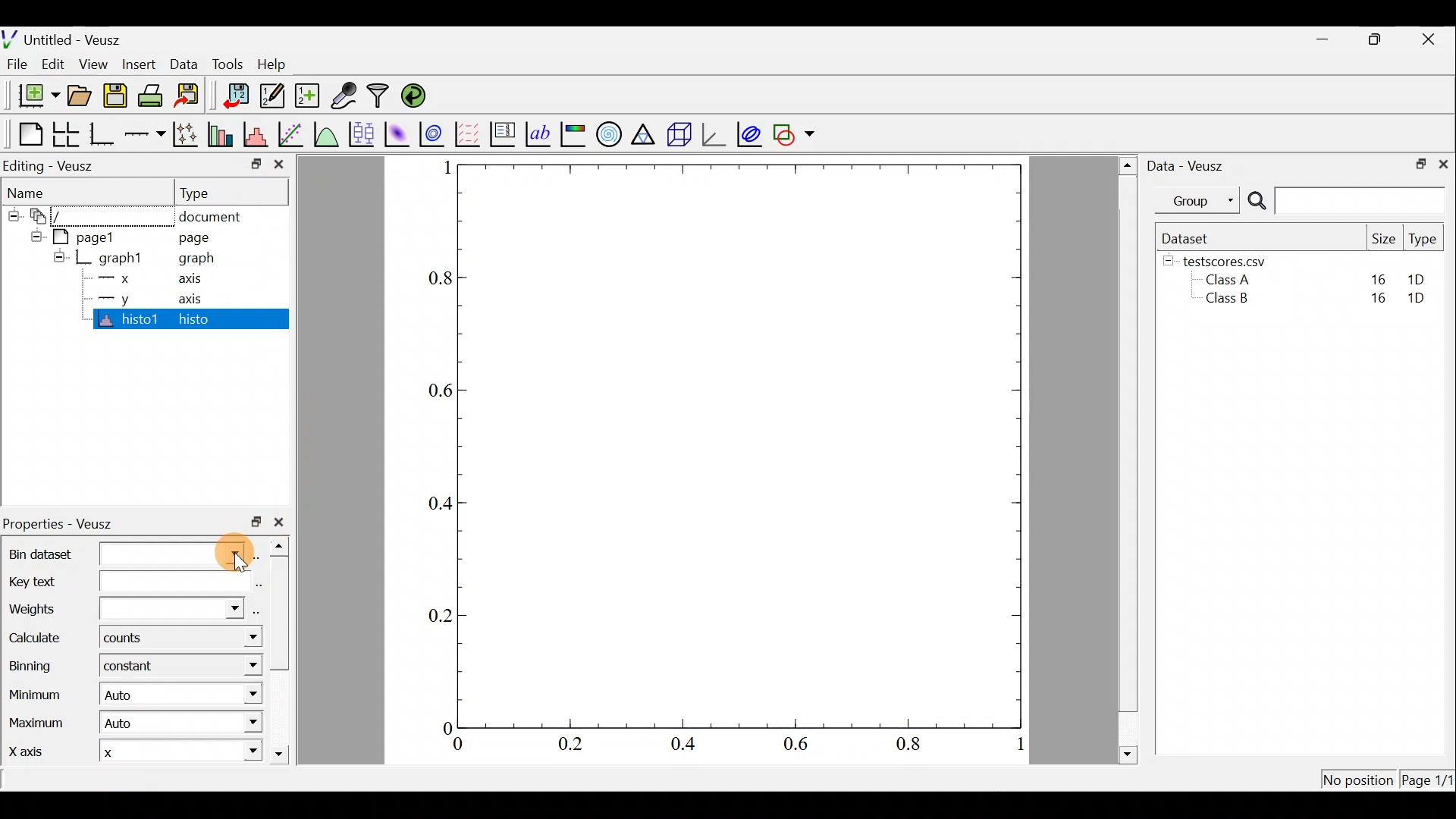  I want to click on Plot covariance ellipses, so click(749, 133).